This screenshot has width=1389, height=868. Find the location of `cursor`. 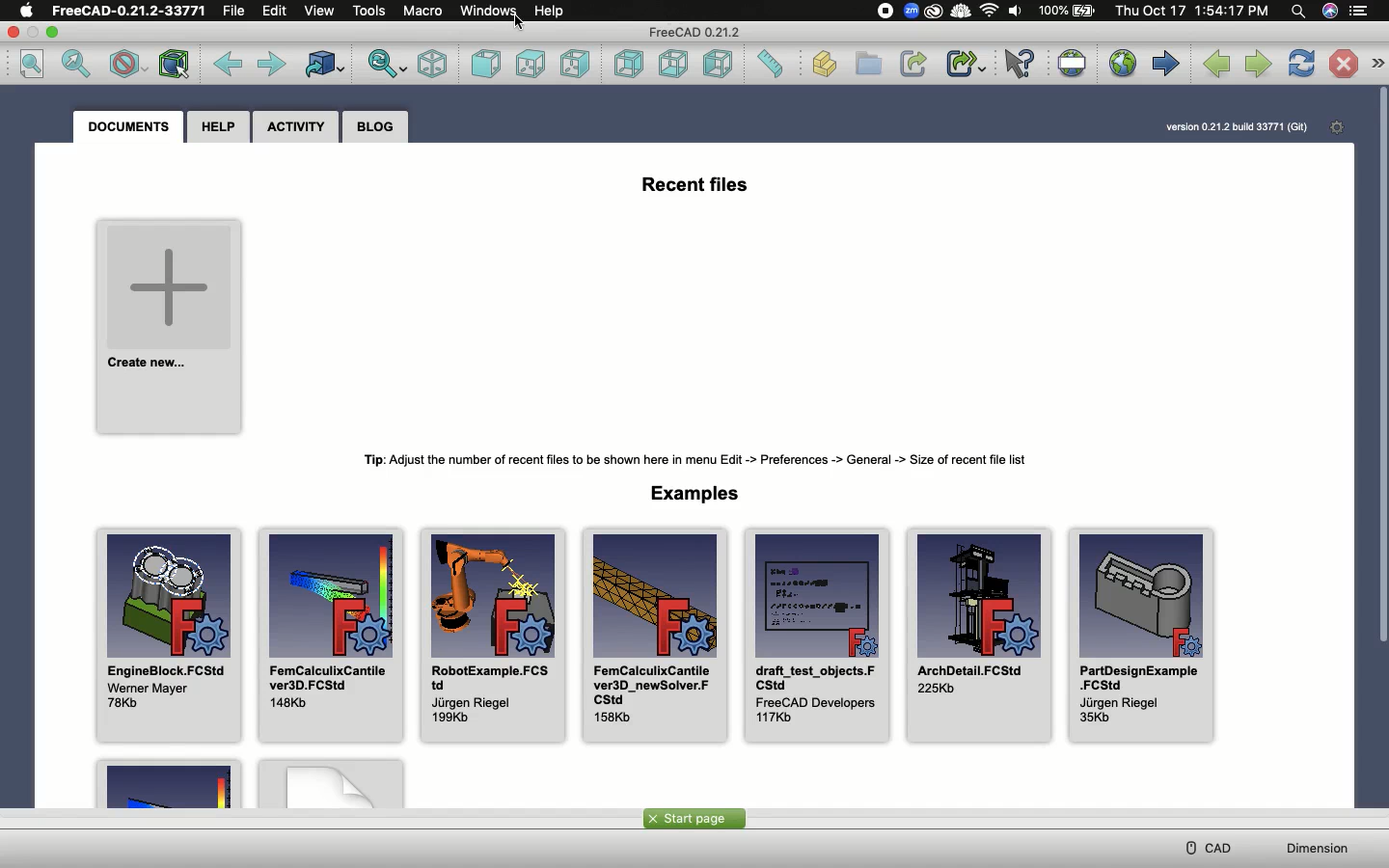

cursor is located at coordinates (519, 21).